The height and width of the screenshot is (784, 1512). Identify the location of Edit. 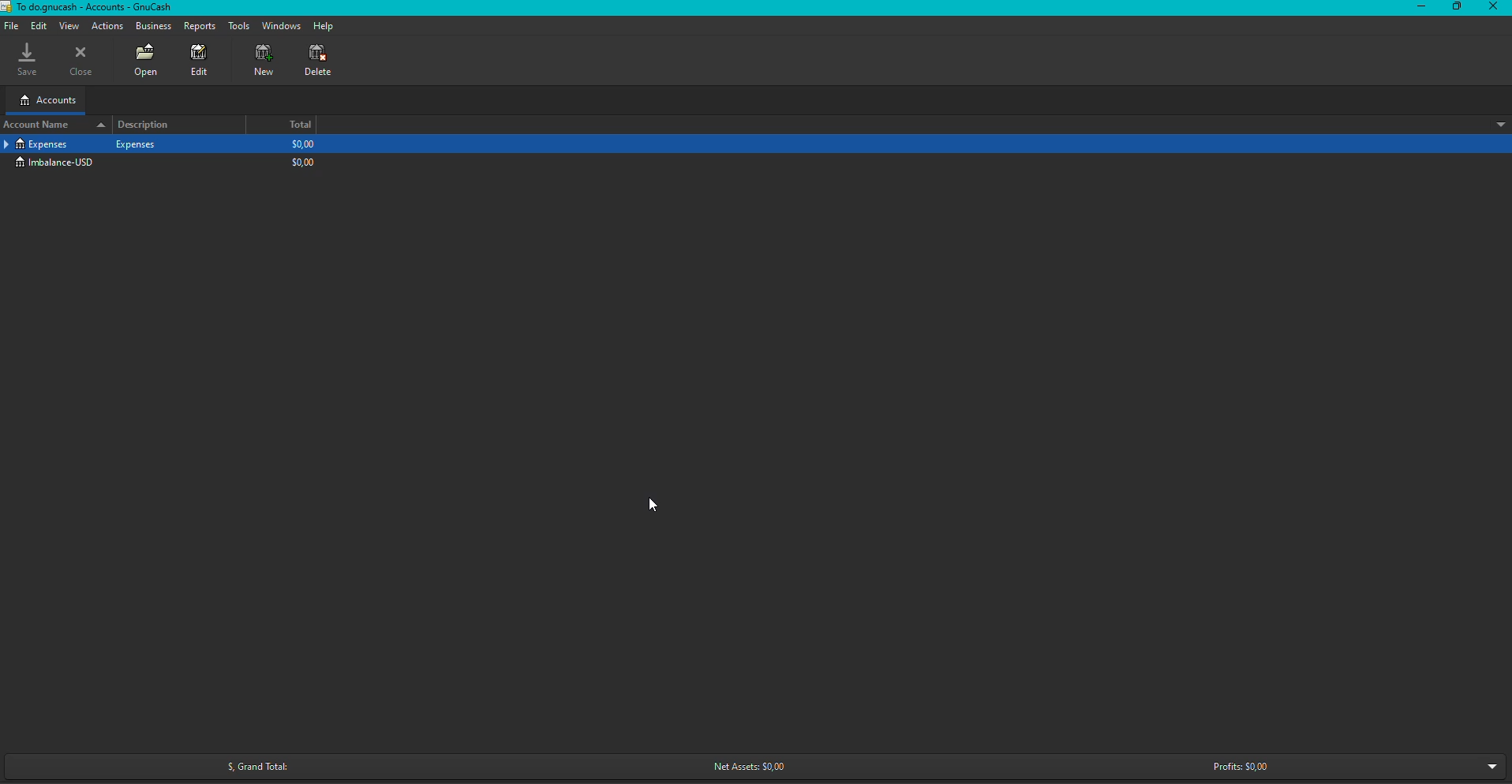
(200, 62).